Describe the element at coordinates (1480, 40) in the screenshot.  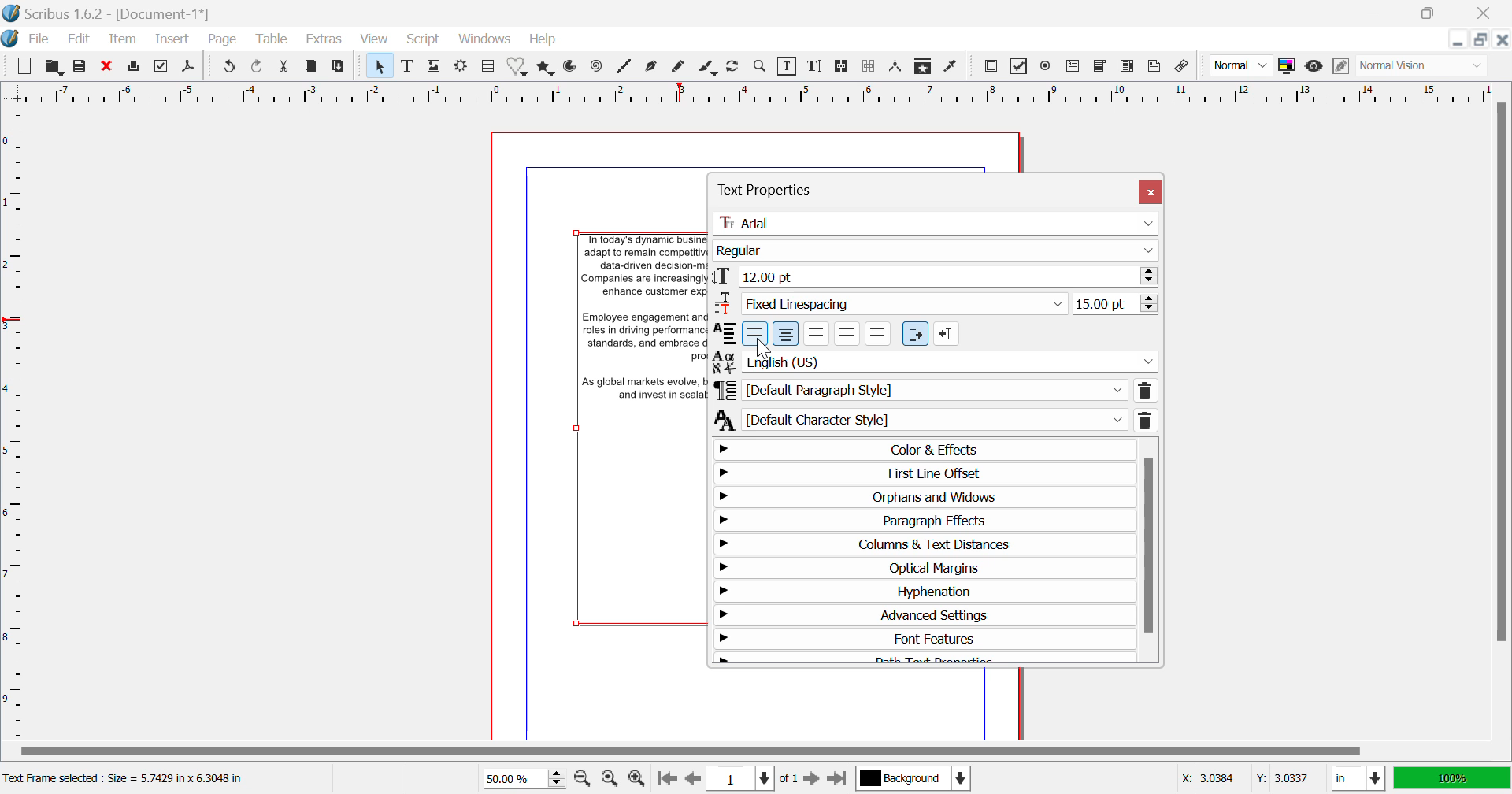
I see `Minimize` at that location.